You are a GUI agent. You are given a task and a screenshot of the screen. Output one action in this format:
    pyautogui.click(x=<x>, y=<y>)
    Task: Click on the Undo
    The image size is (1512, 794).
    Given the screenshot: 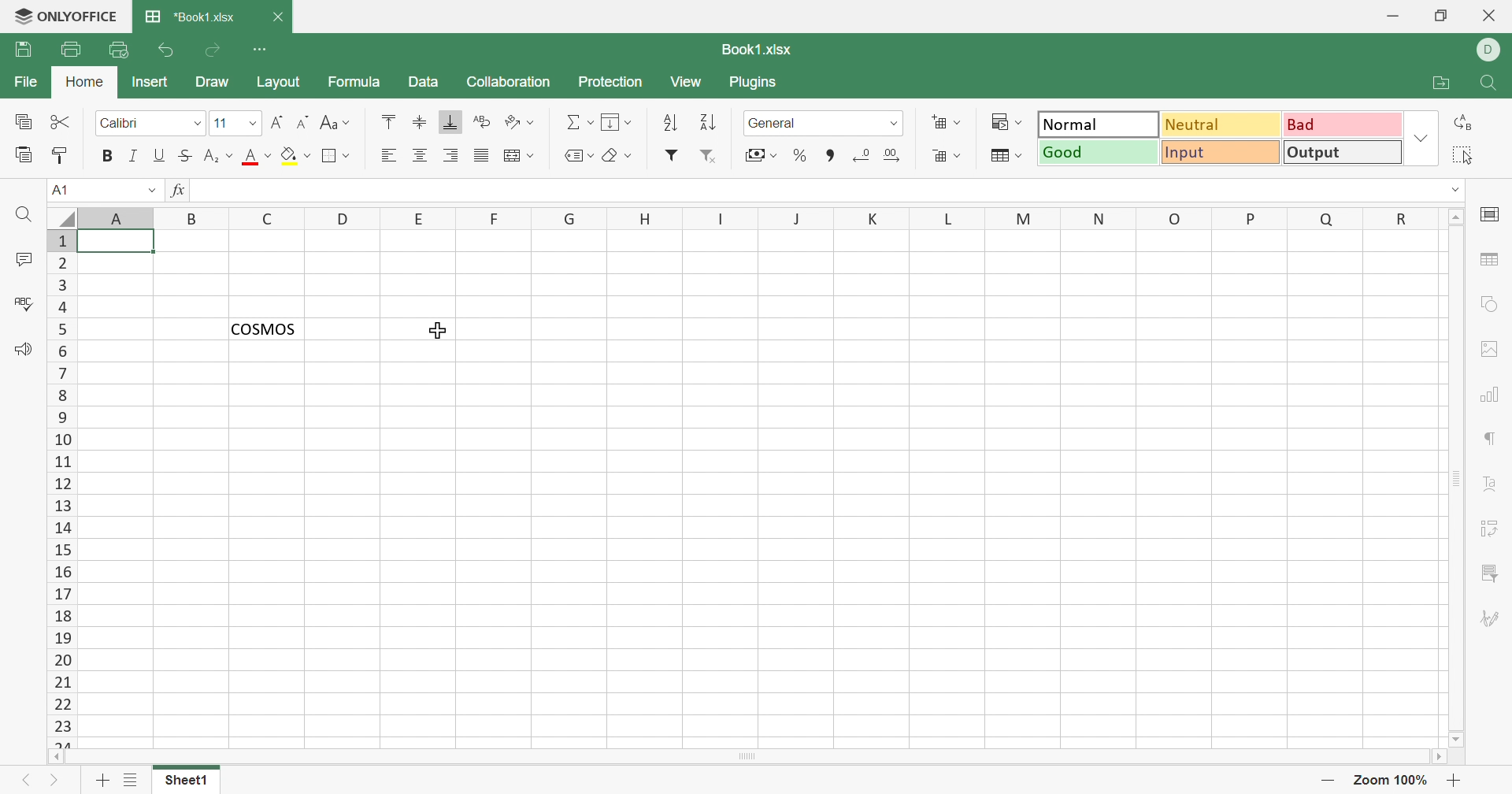 What is the action you would take?
    pyautogui.click(x=169, y=50)
    